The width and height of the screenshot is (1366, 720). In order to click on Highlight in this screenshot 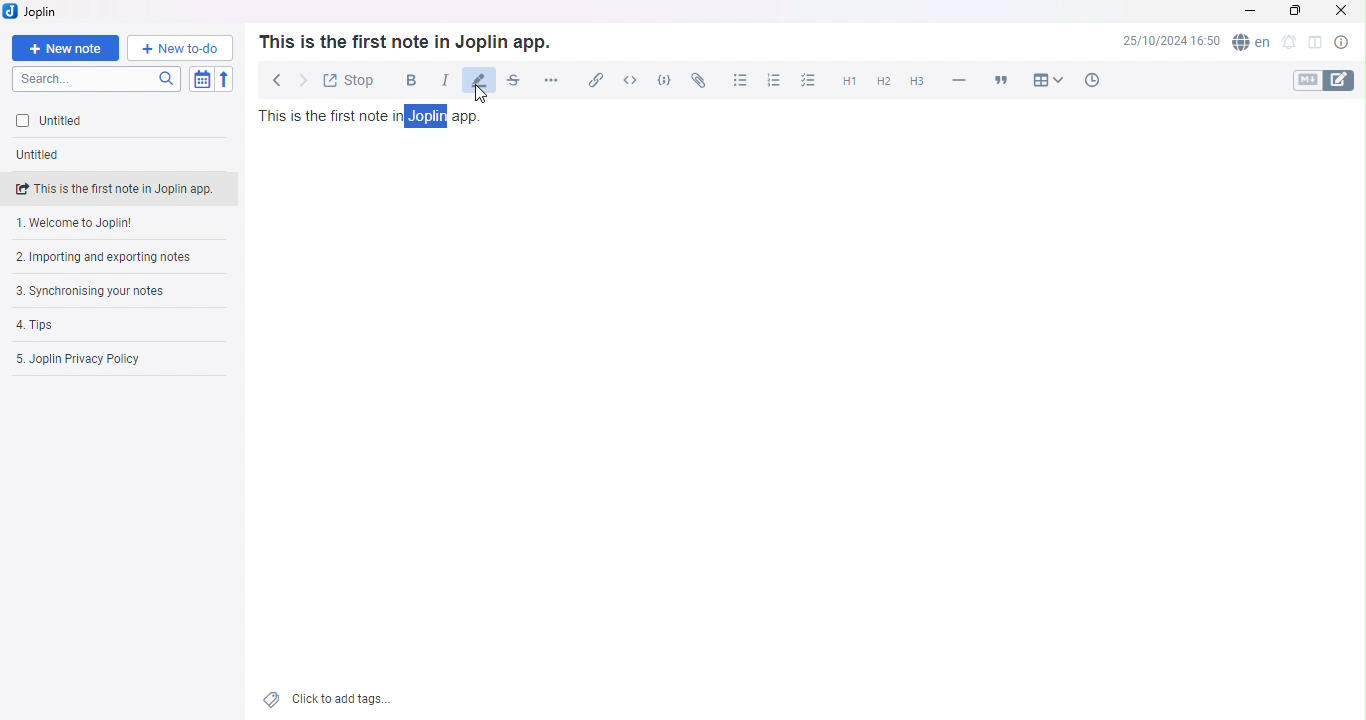, I will do `click(478, 81)`.